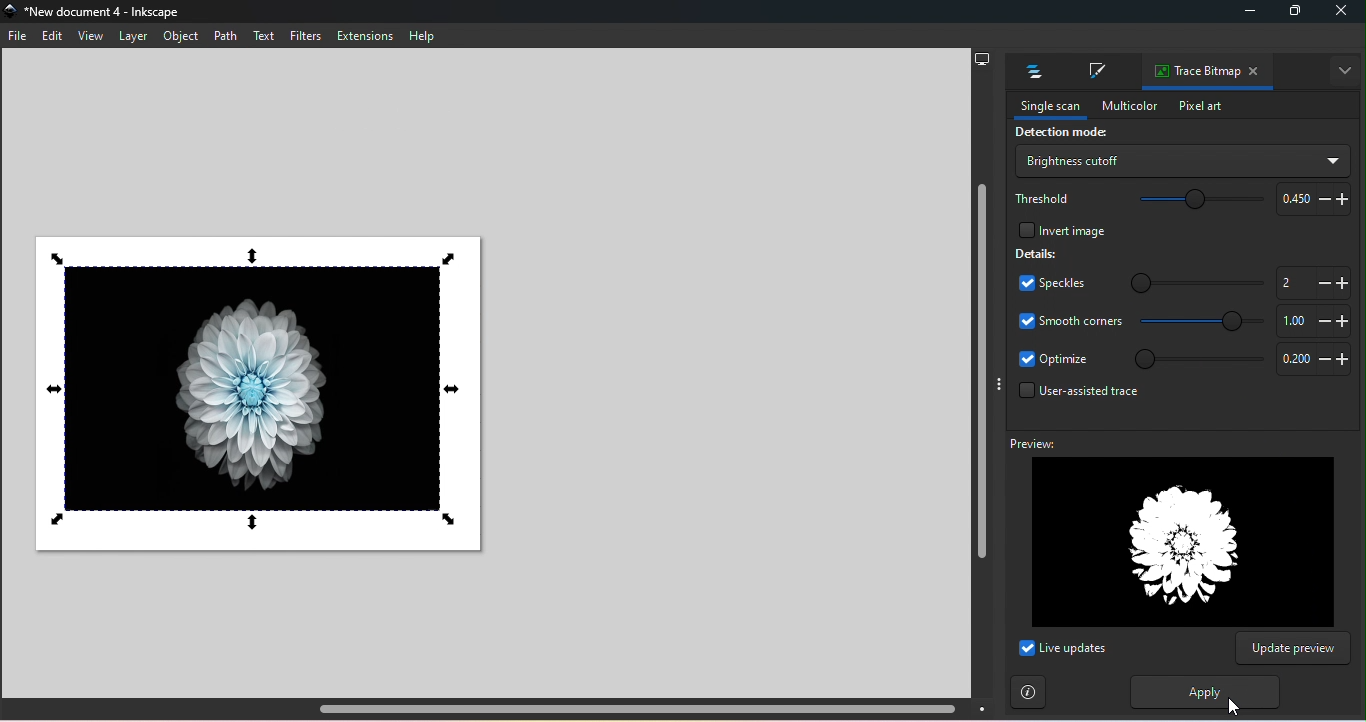 The image size is (1366, 722). What do you see at coordinates (1044, 197) in the screenshot?
I see `Threshold` at bounding box center [1044, 197].